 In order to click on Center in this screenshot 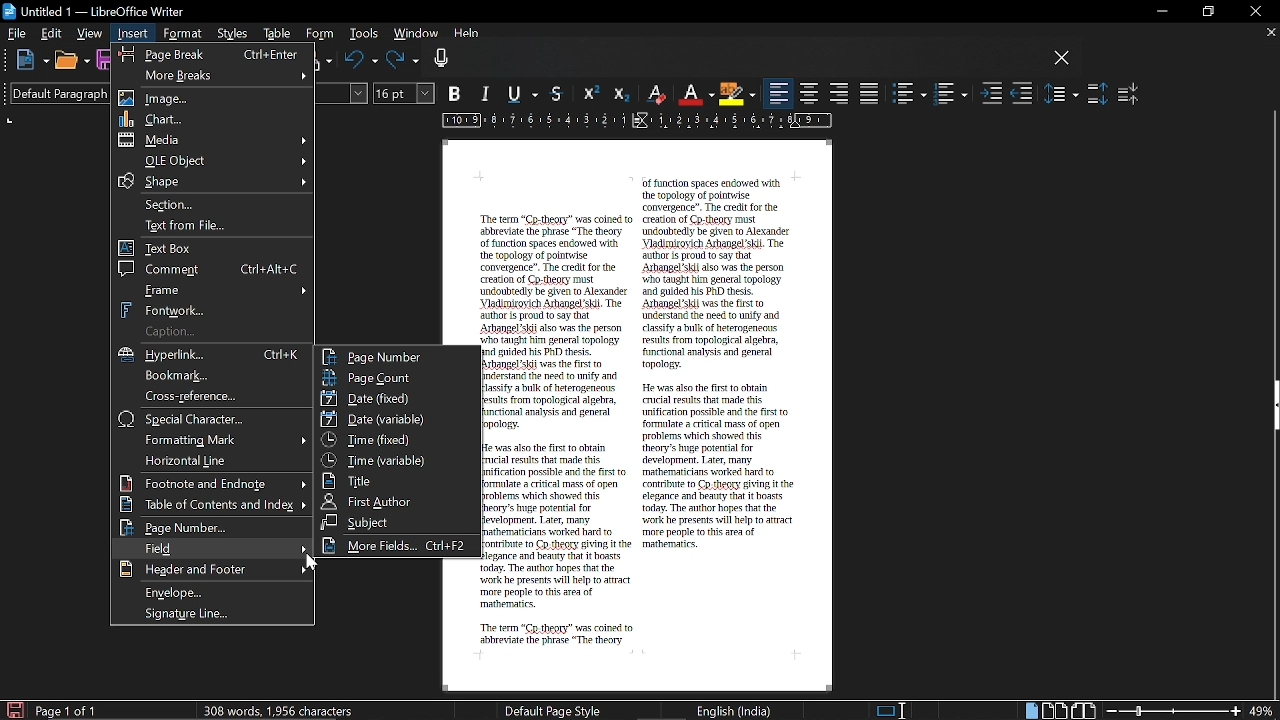, I will do `click(810, 93)`.